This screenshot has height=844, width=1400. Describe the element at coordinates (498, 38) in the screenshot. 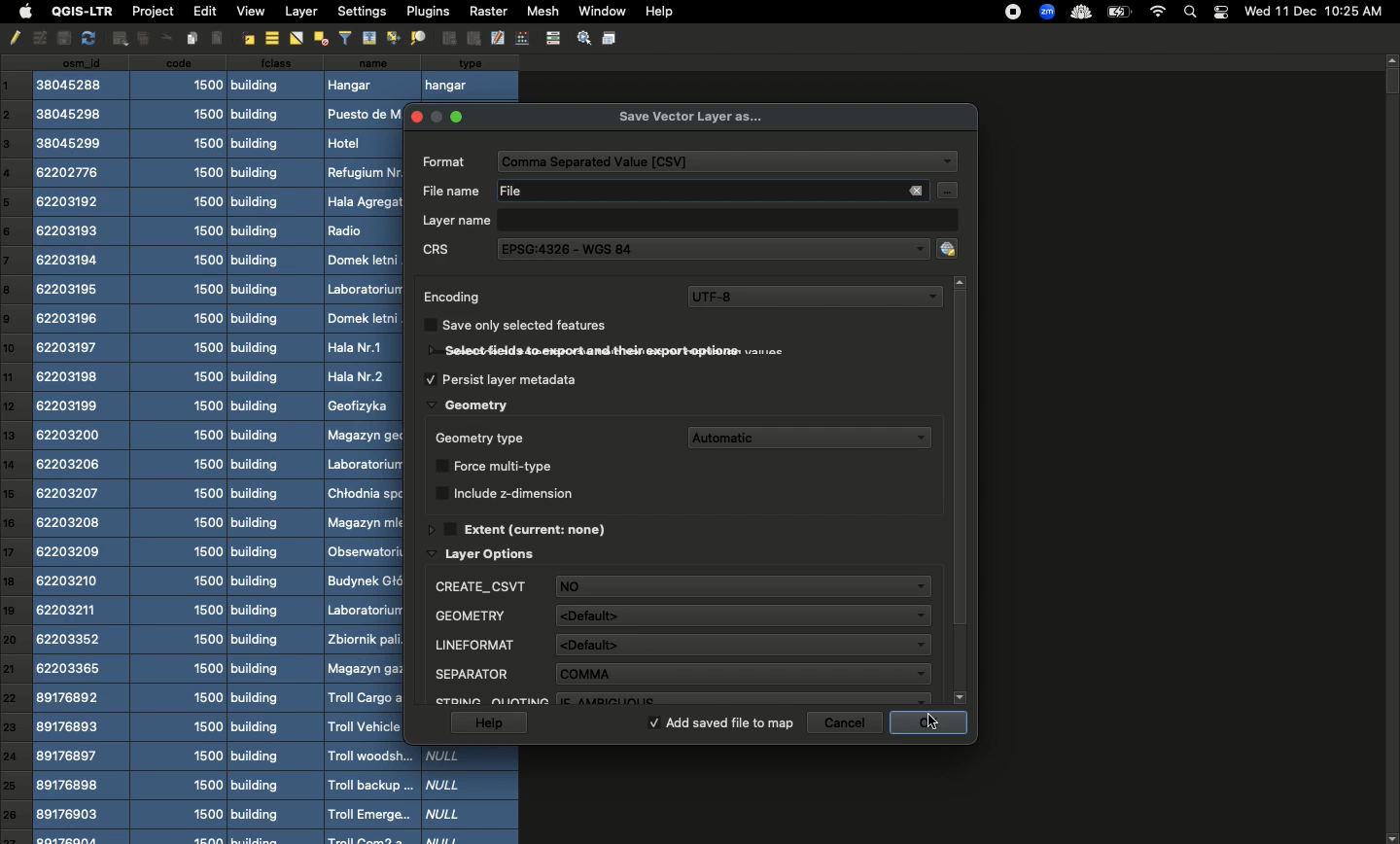

I see `edit` at that location.